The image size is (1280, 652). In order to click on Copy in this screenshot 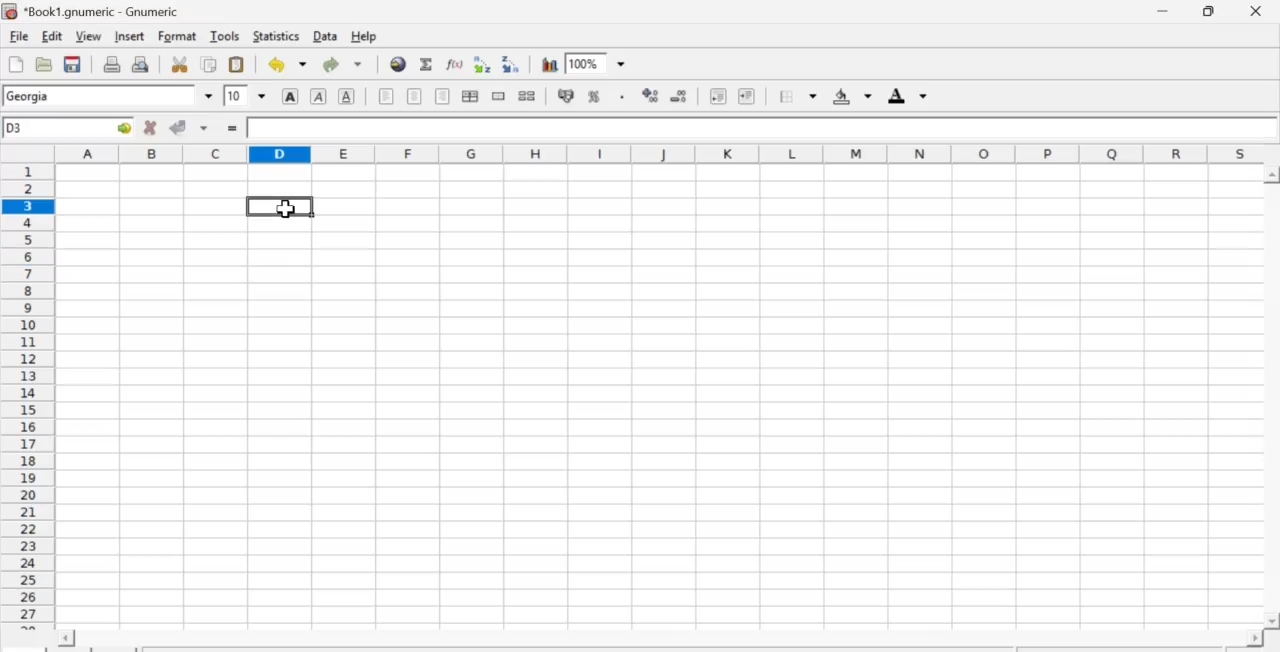, I will do `click(212, 65)`.